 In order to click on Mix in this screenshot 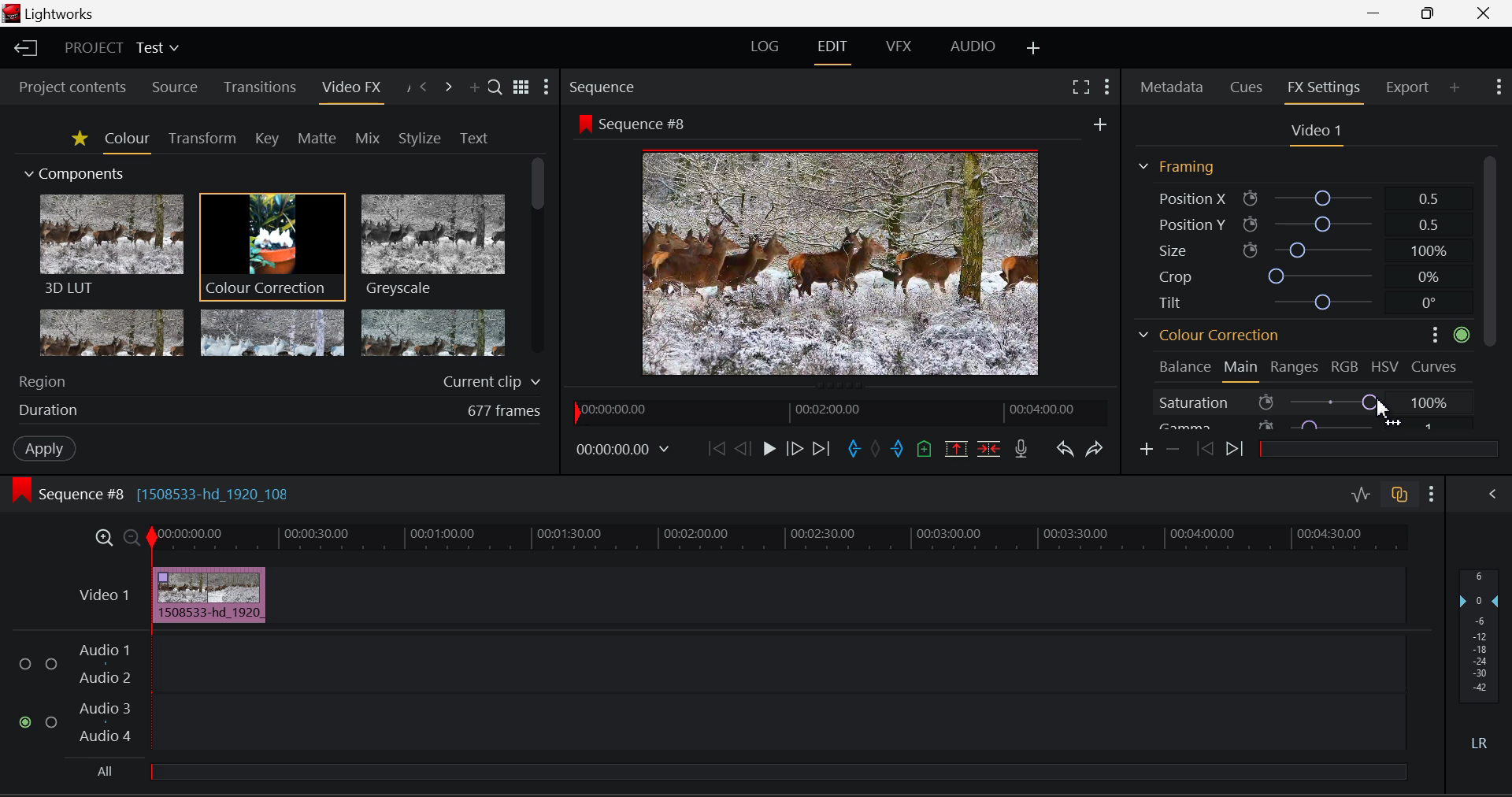, I will do `click(369, 137)`.